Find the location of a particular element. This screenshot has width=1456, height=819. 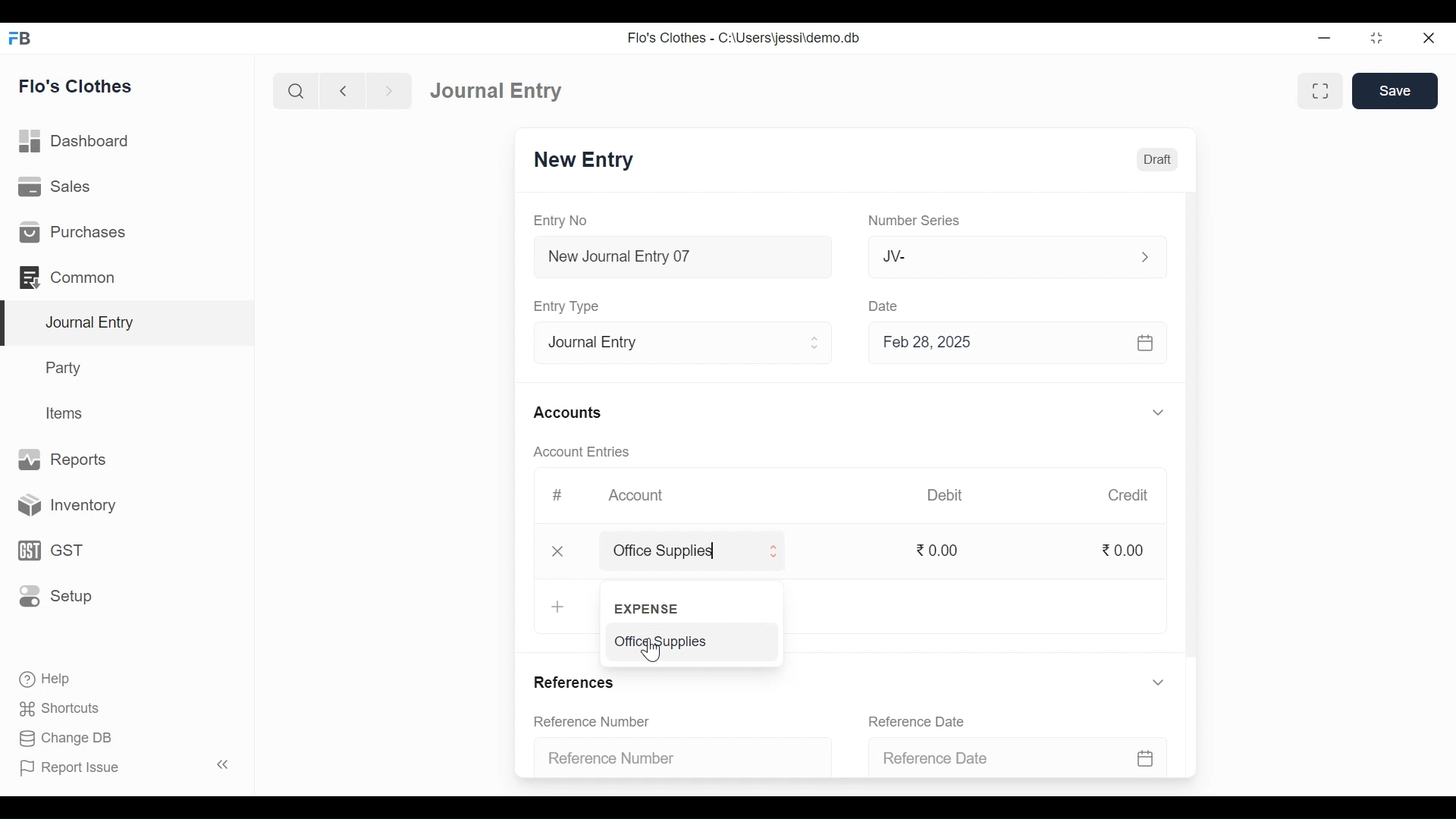

minimize is located at coordinates (1324, 39).